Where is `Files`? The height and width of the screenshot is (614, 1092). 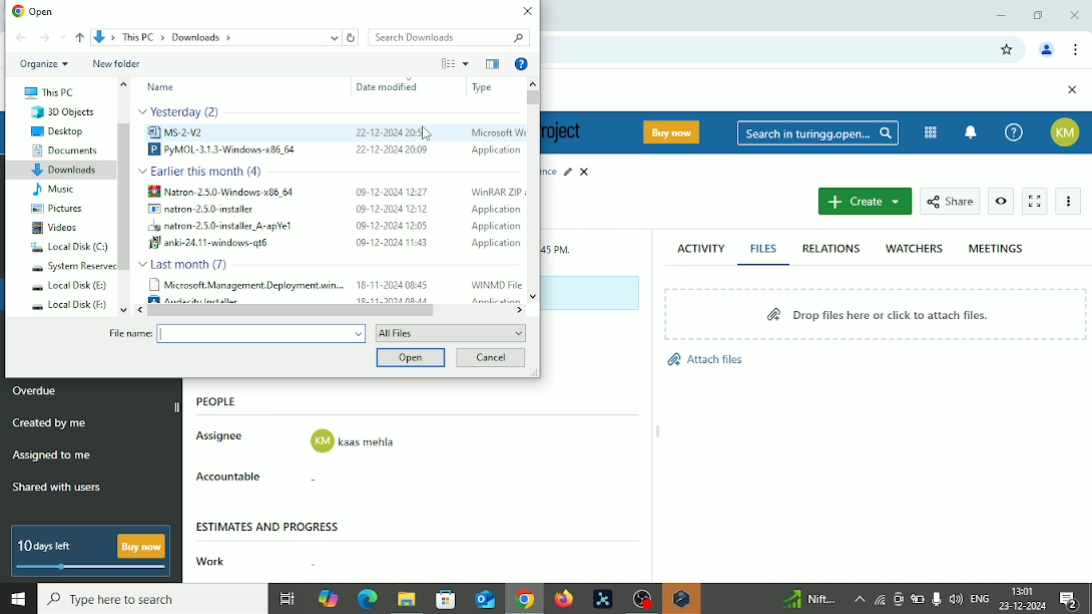 Files is located at coordinates (766, 248).